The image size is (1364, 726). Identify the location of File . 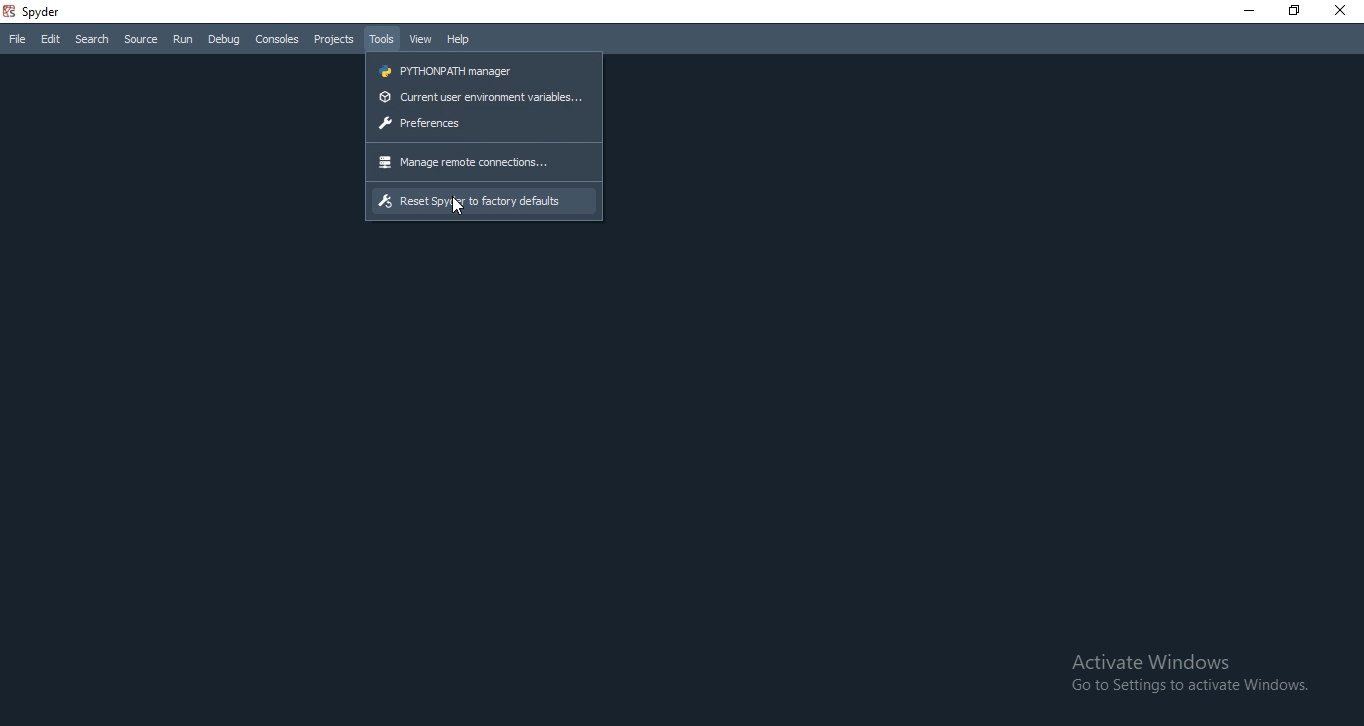
(17, 39).